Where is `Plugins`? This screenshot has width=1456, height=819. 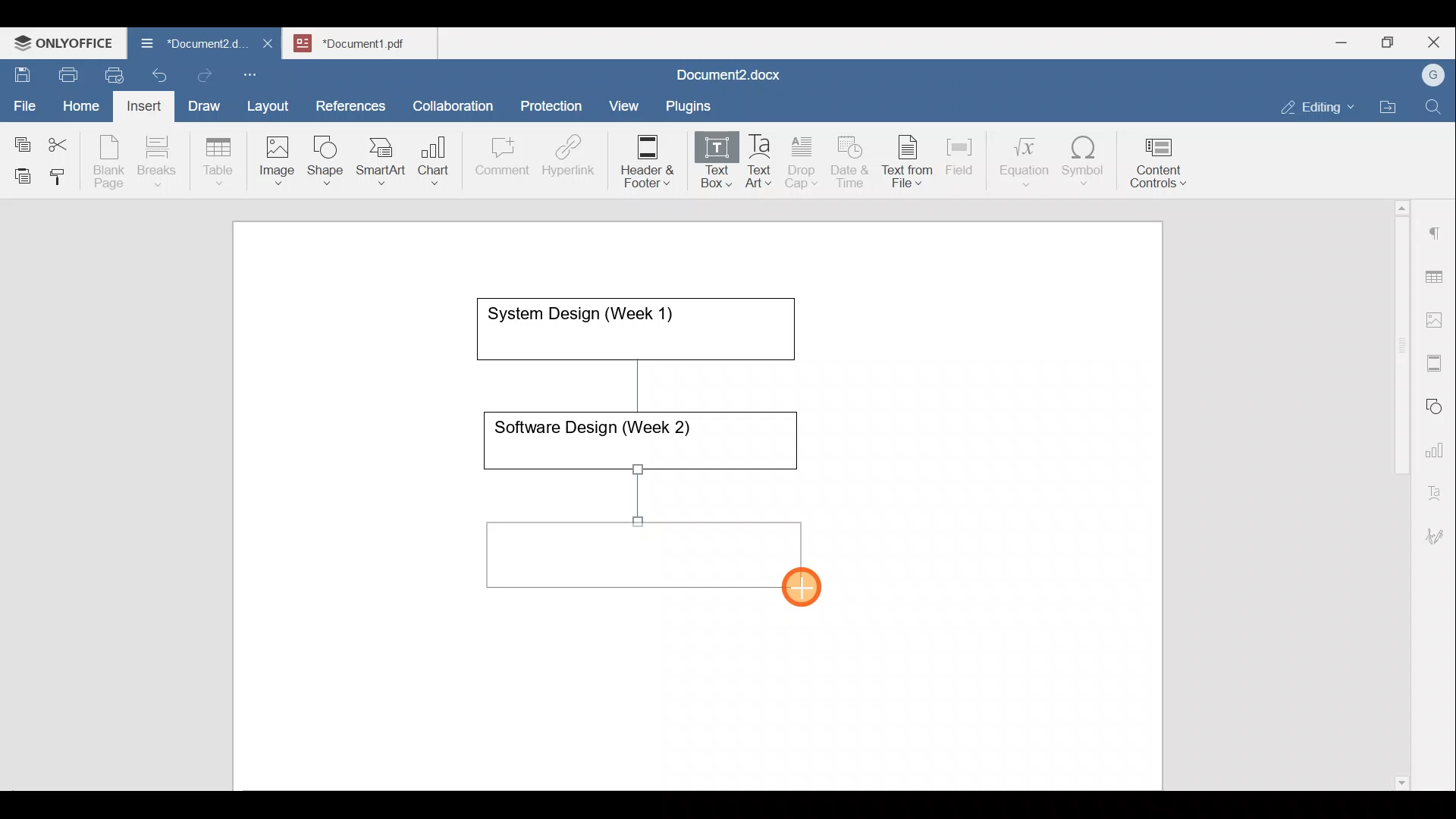
Plugins is located at coordinates (693, 104).